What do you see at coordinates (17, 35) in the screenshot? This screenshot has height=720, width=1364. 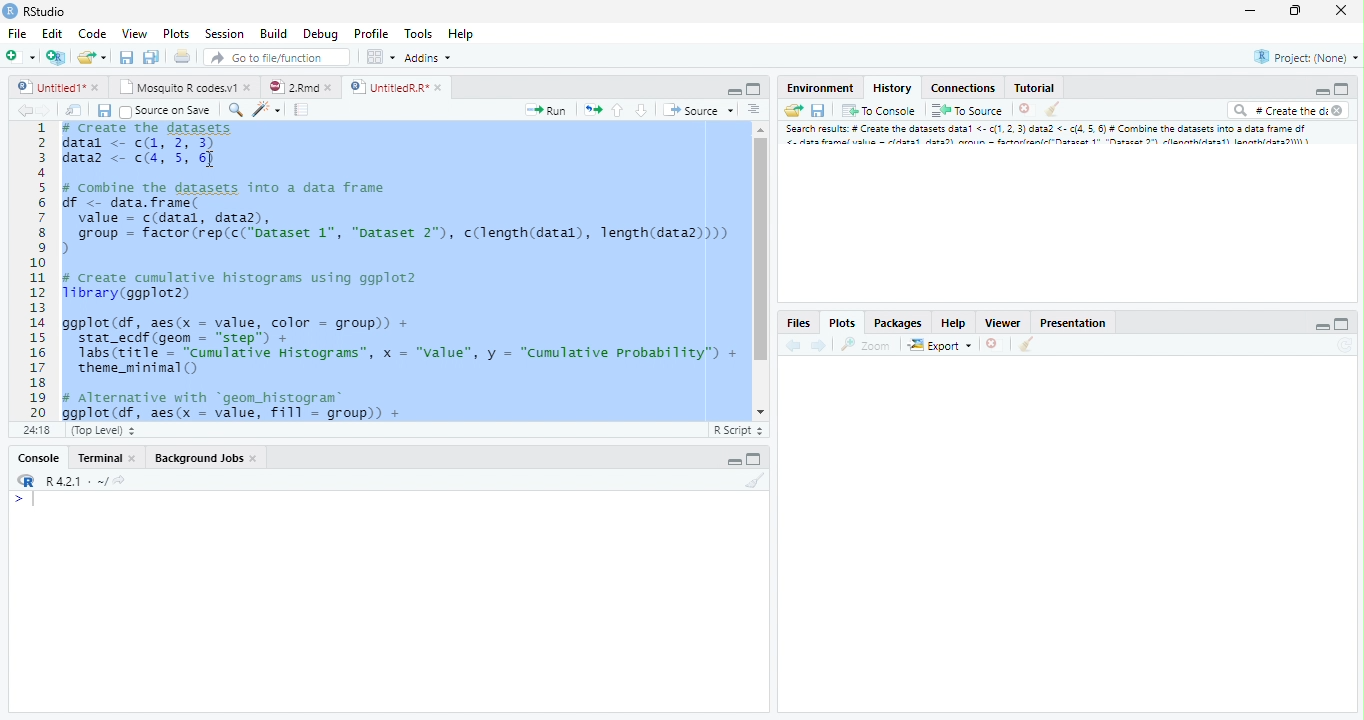 I see `File` at bounding box center [17, 35].